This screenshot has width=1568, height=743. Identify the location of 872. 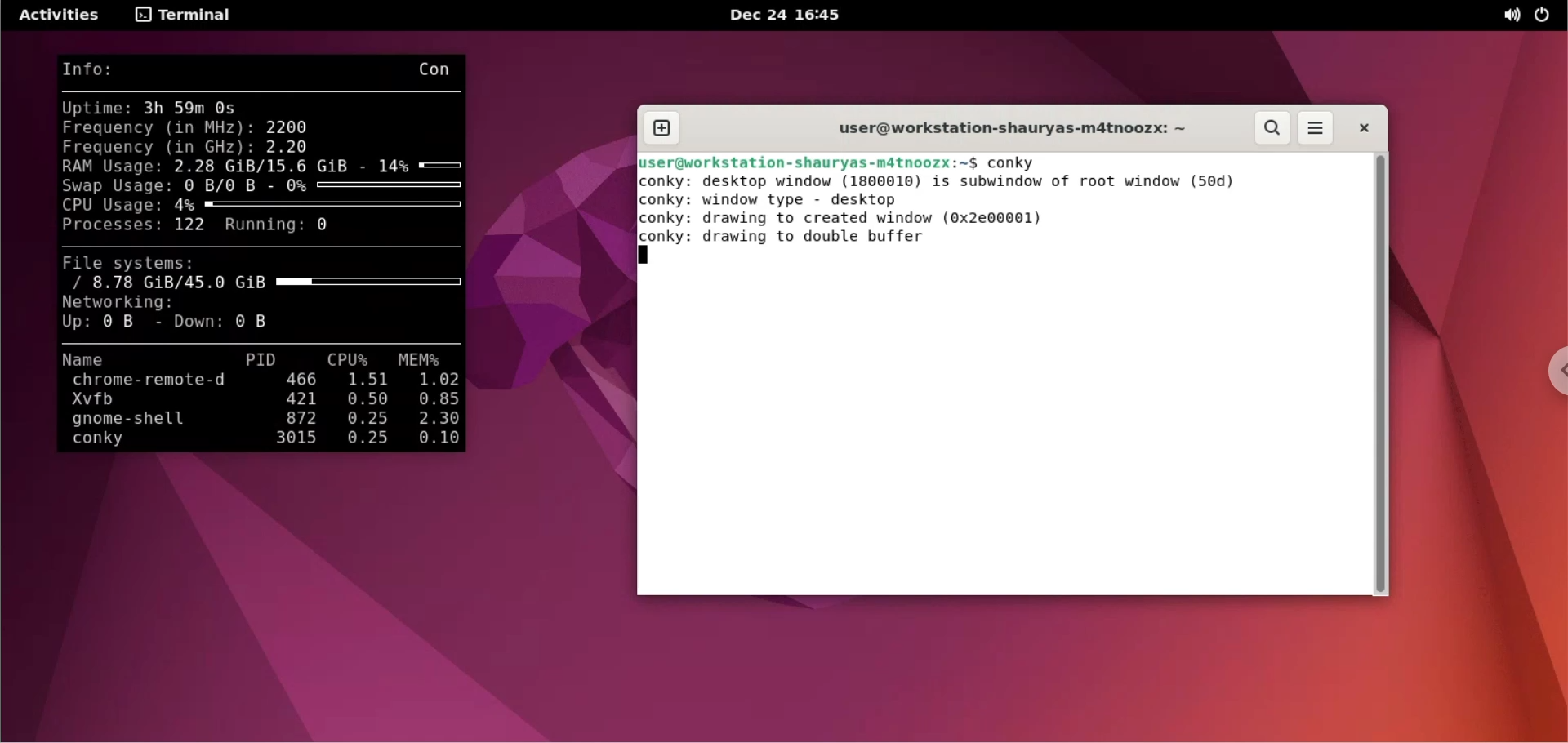
(298, 418).